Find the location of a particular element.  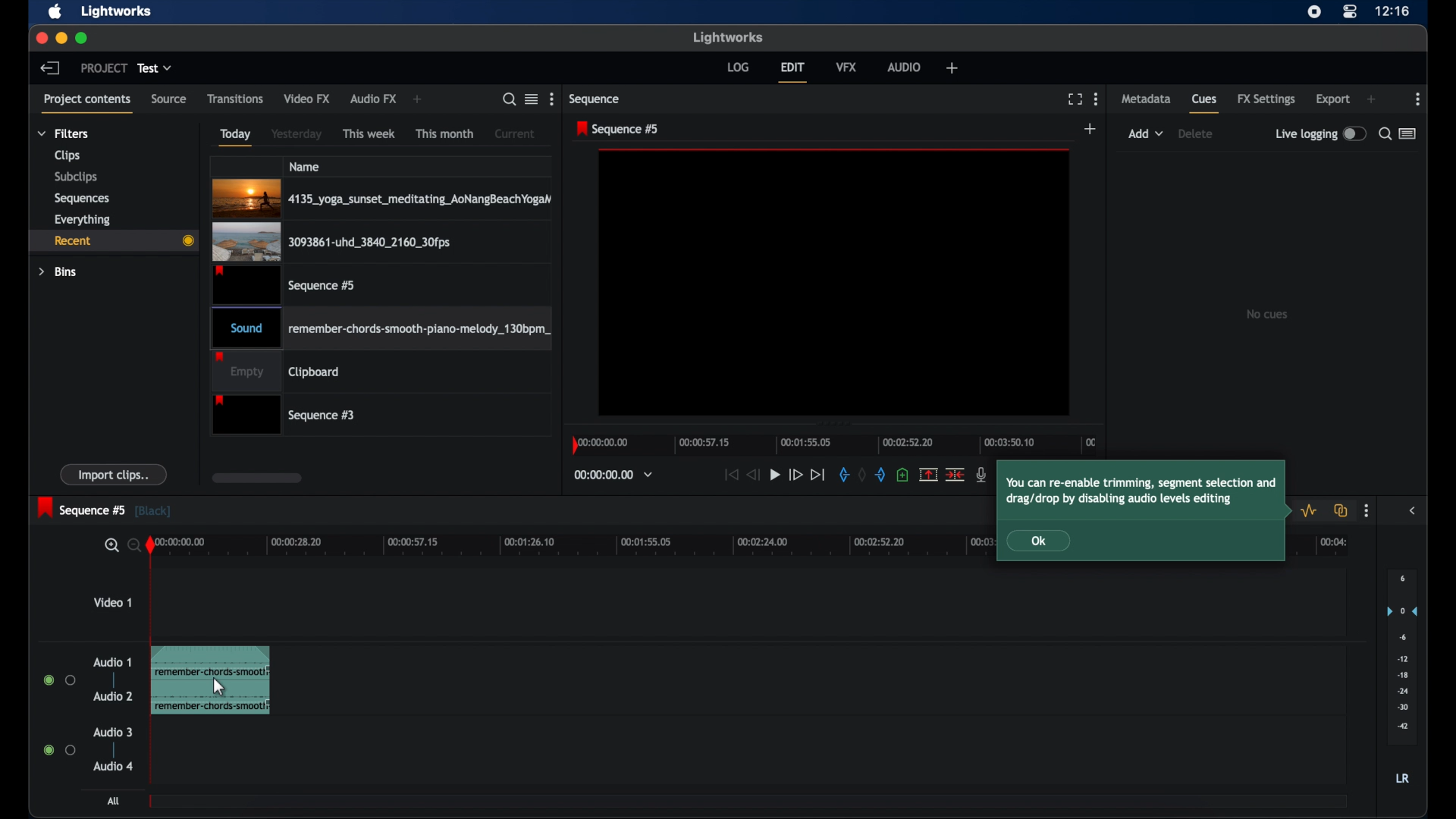

toggle list or logger view is located at coordinates (1409, 133).